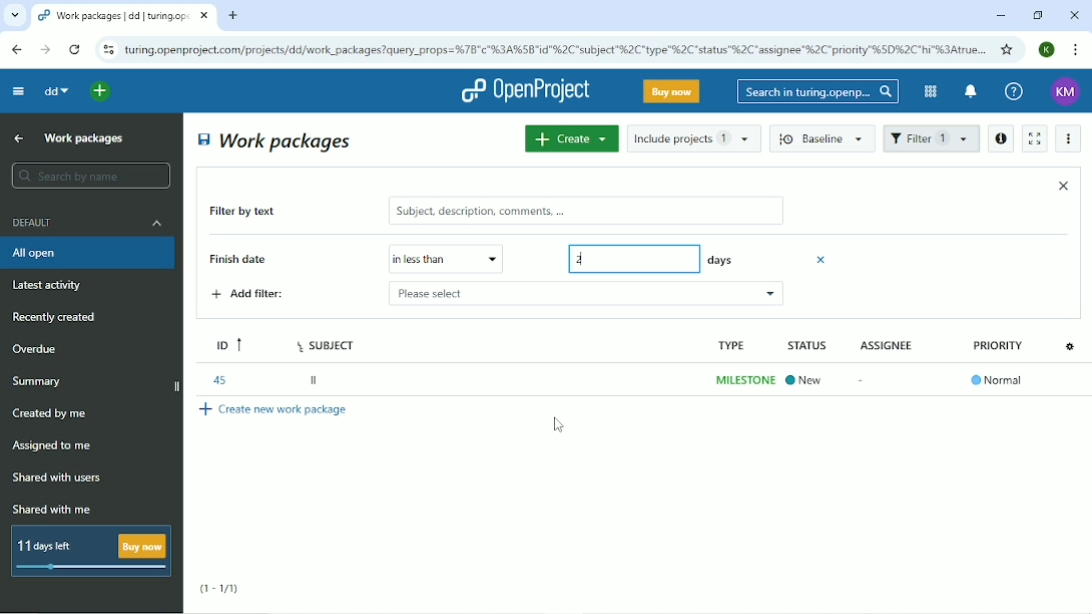 Image resolution: width=1092 pixels, height=614 pixels. I want to click on Close, so click(1063, 185).